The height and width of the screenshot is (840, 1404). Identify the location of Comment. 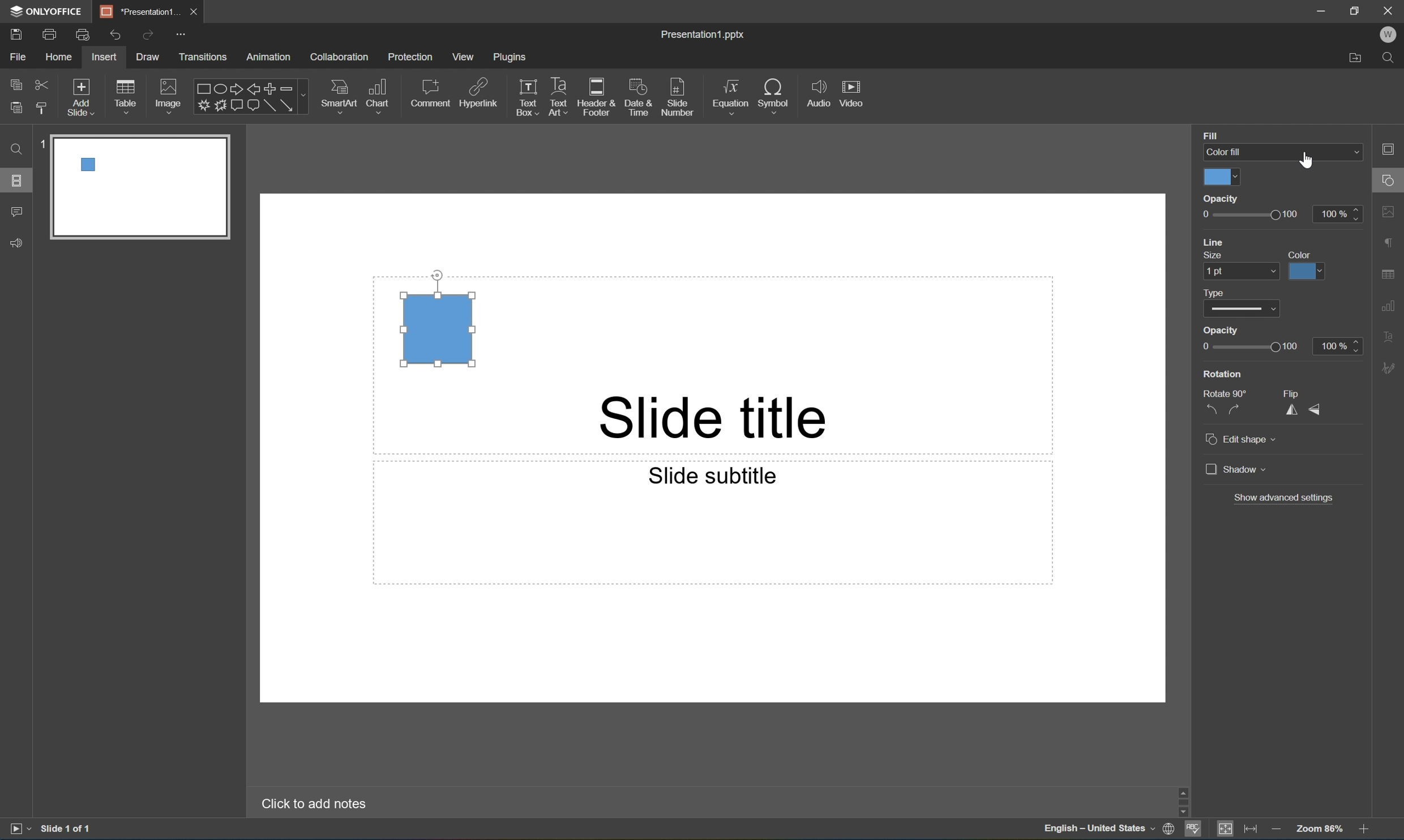
(18, 213).